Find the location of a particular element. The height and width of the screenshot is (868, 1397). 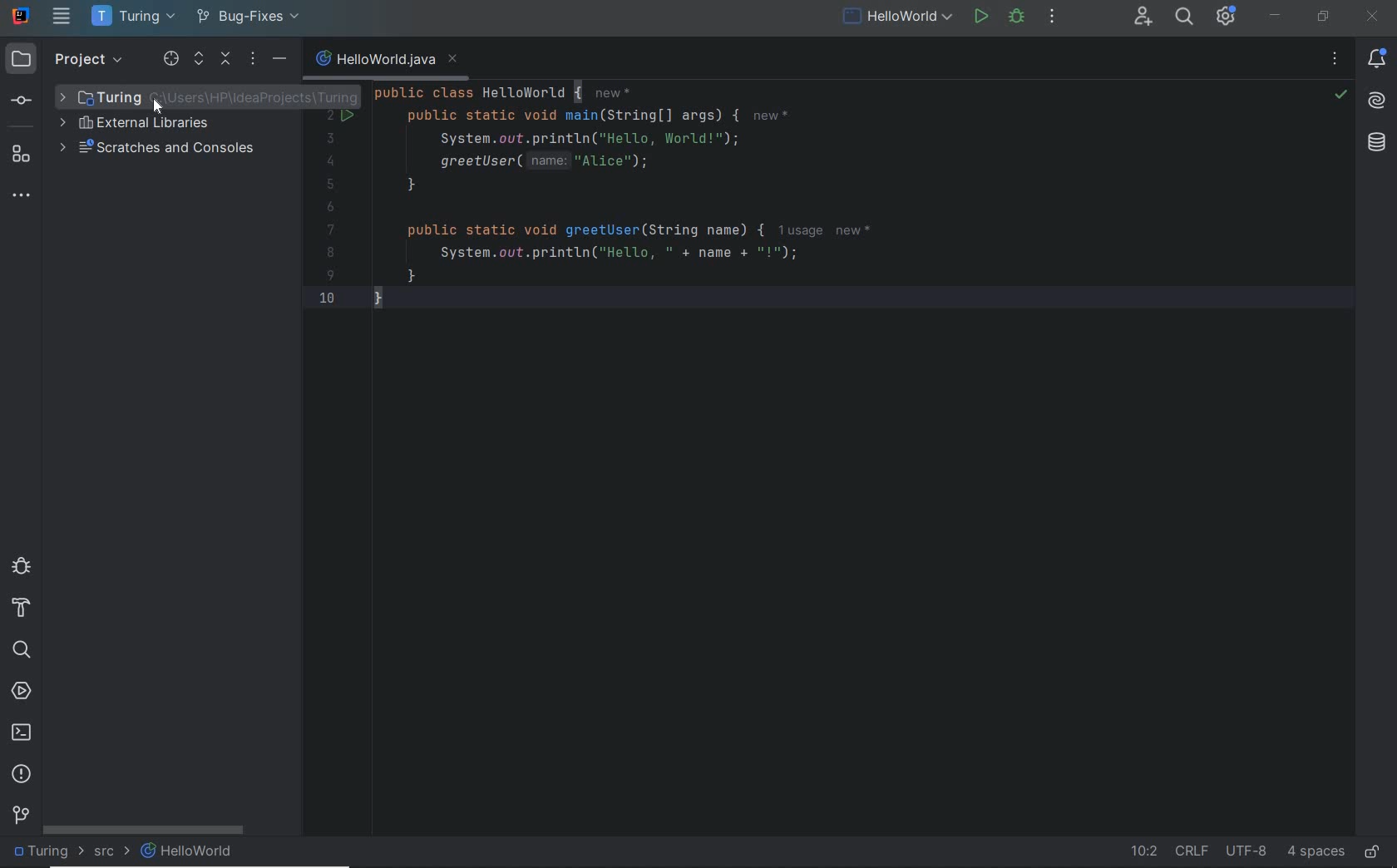

file name is located at coordinates (386, 62).